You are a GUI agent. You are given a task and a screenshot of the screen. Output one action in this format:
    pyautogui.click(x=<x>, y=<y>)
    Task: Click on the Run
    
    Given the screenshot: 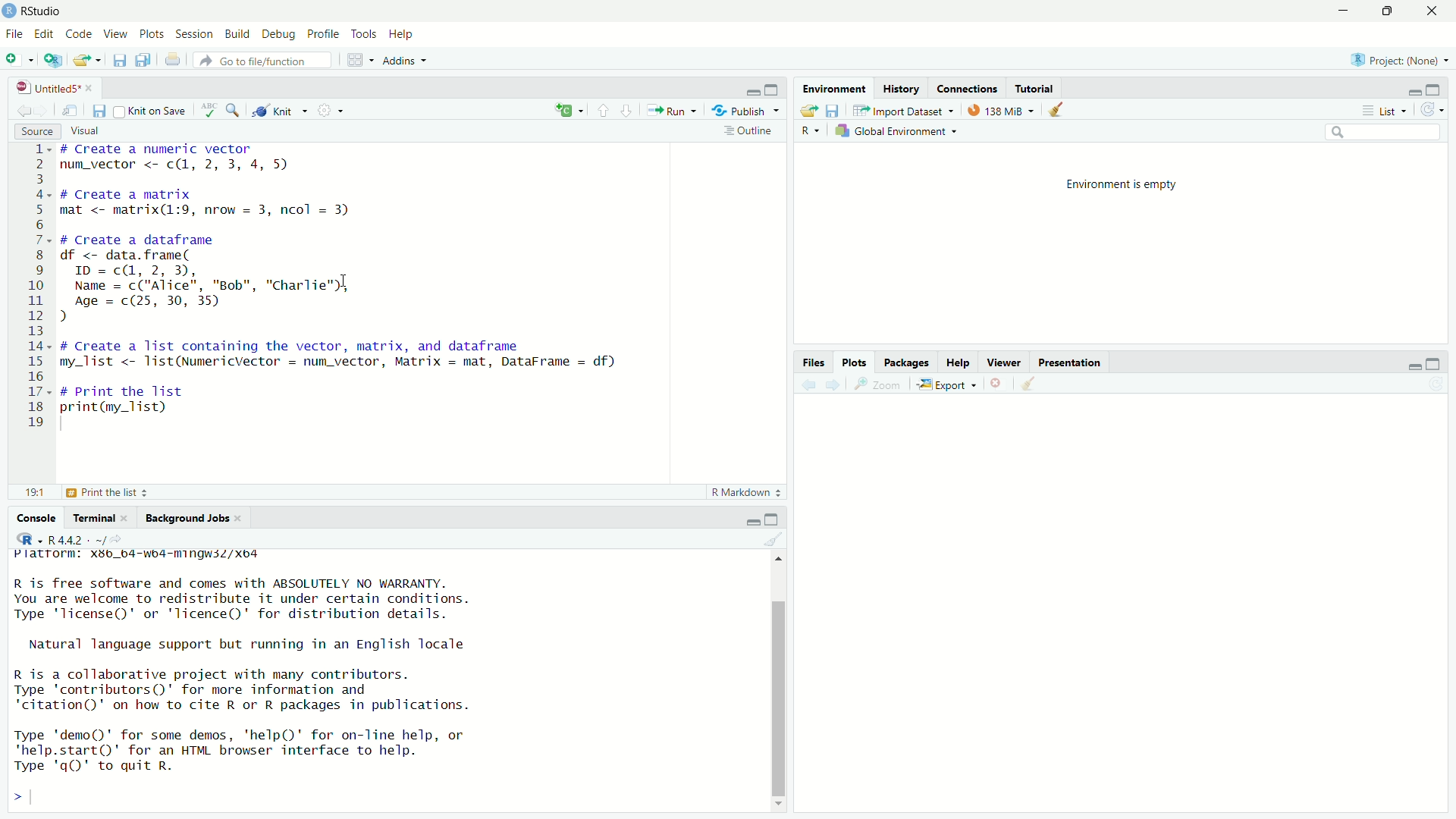 What is the action you would take?
    pyautogui.click(x=673, y=111)
    